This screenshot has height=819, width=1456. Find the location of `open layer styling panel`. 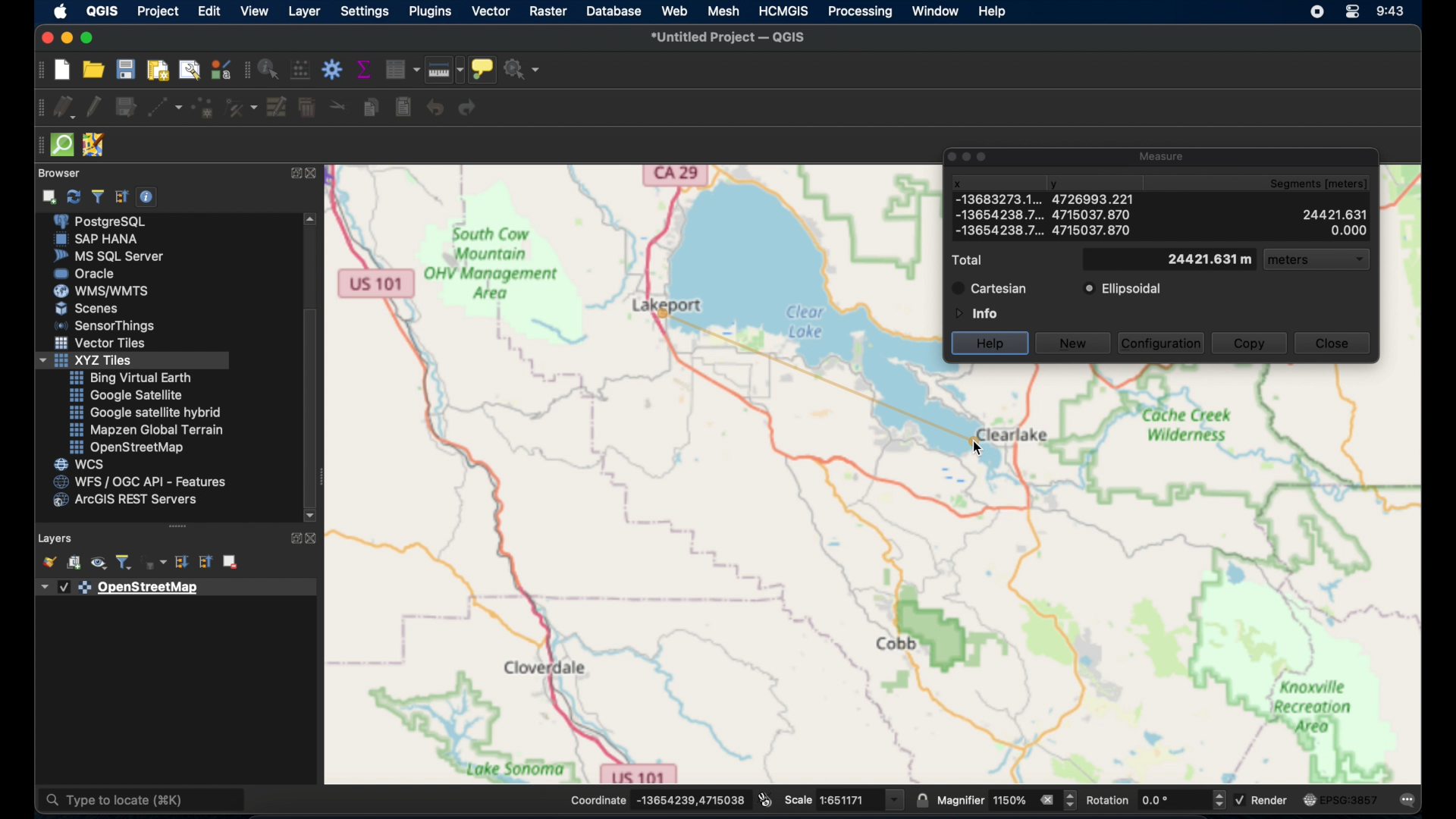

open layer styling panel is located at coordinates (49, 562).